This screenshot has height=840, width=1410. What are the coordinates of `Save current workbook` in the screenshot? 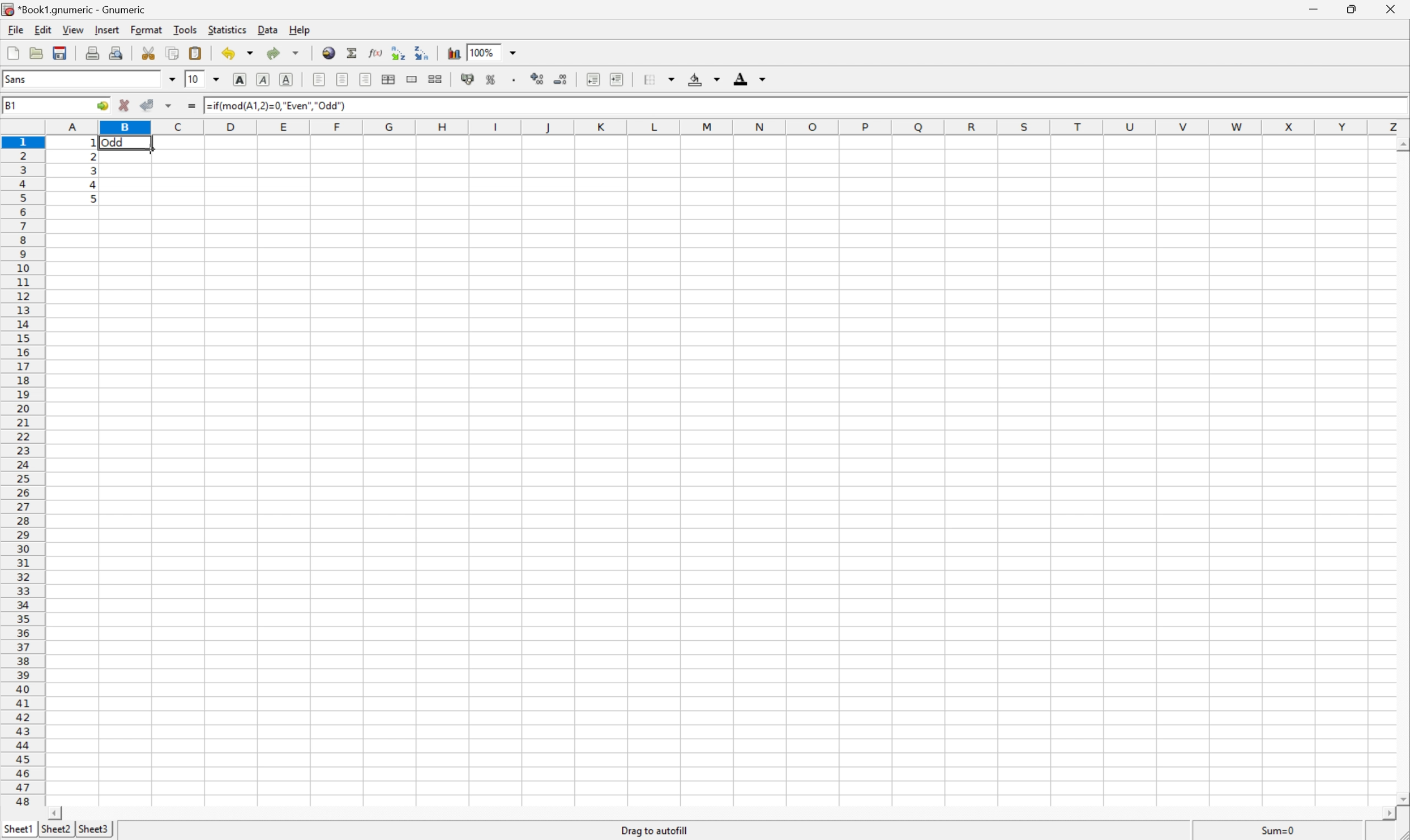 It's located at (59, 52).